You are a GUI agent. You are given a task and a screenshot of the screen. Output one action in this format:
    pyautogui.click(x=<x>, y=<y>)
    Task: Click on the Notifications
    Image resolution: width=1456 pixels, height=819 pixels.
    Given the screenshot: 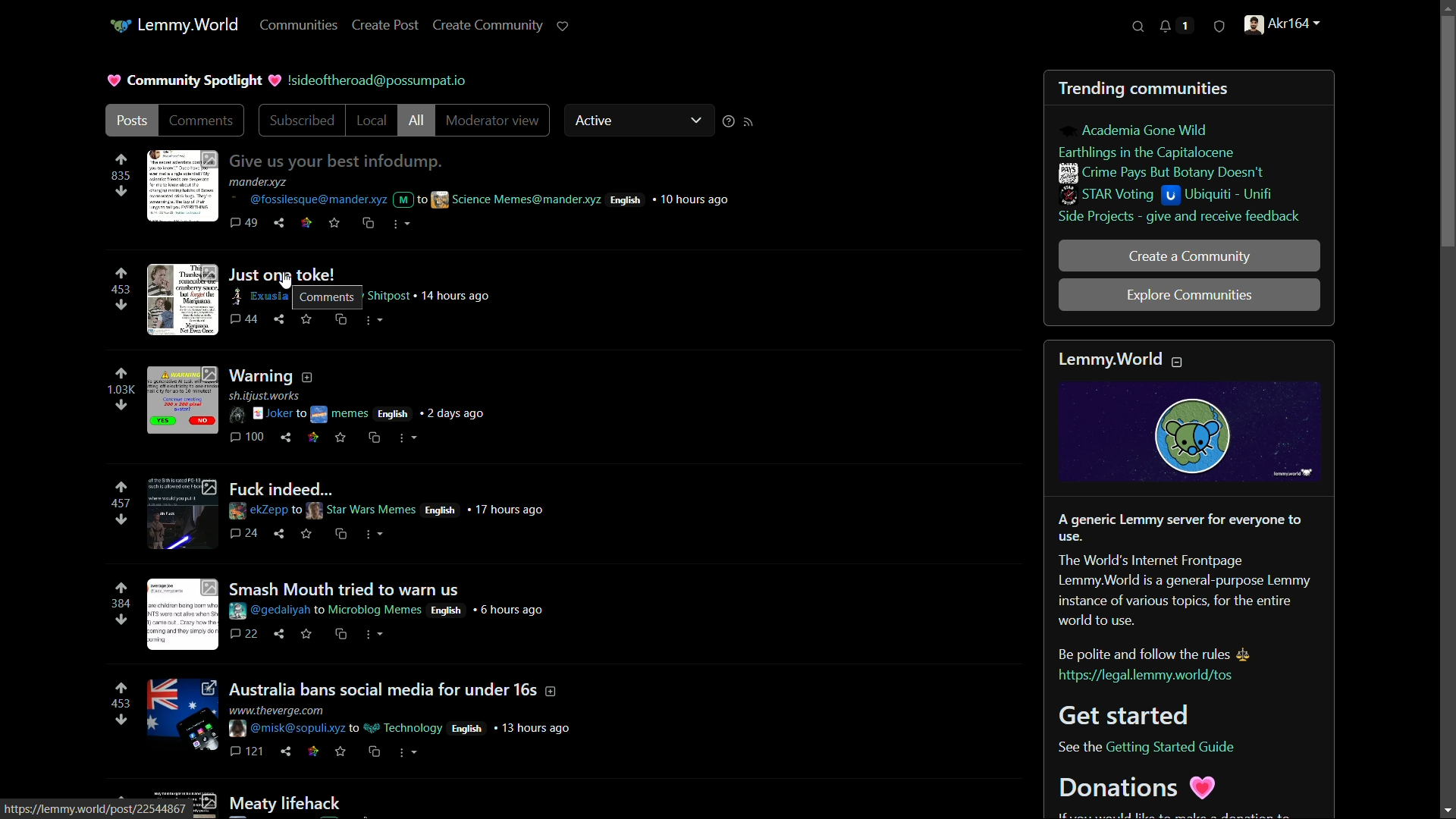 What is the action you would take?
    pyautogui.click(x=1176, y=26)
    